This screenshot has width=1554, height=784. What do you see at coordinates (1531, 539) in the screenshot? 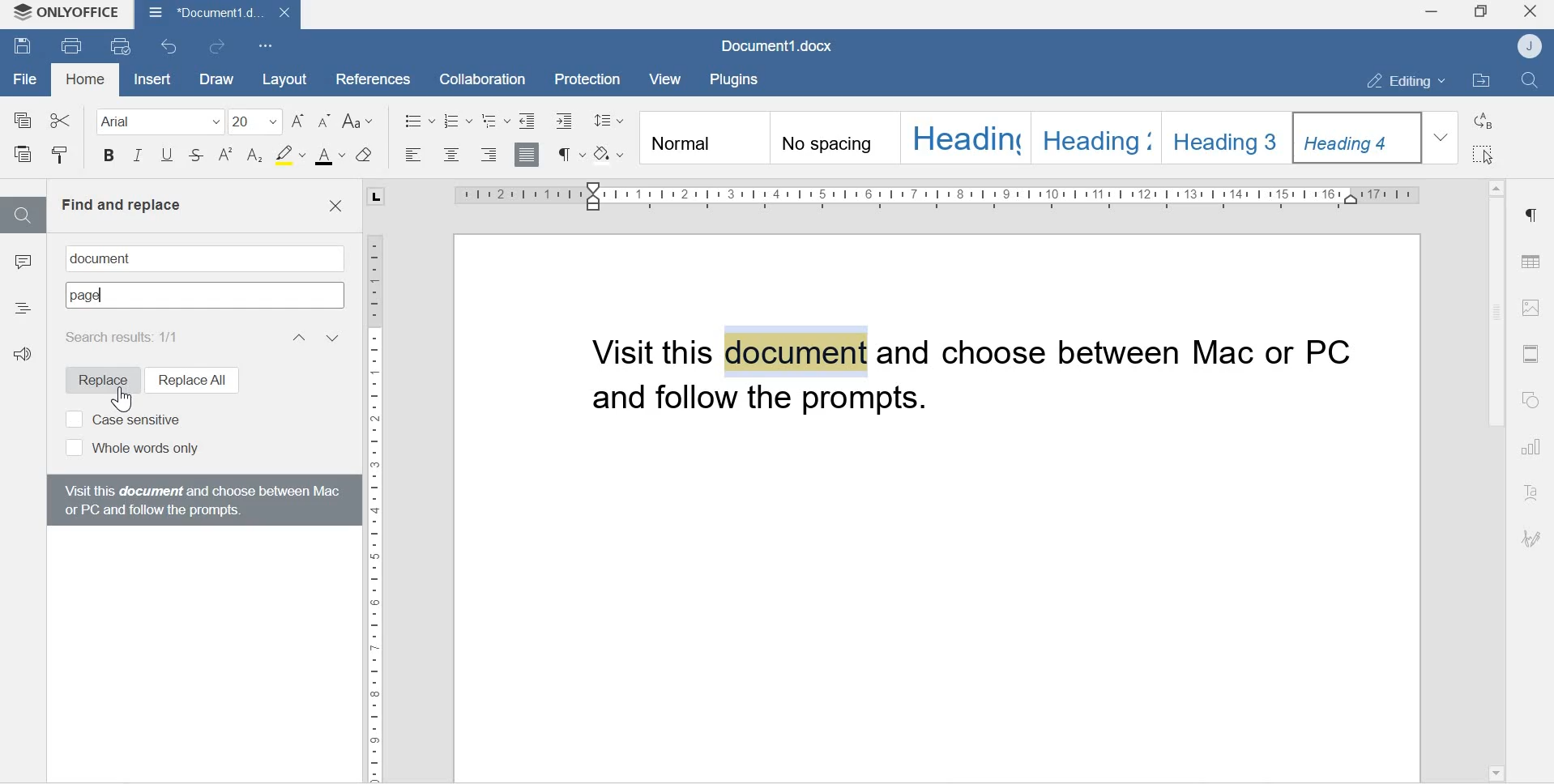
I see `Signature` at bounding box center [1531, 539].